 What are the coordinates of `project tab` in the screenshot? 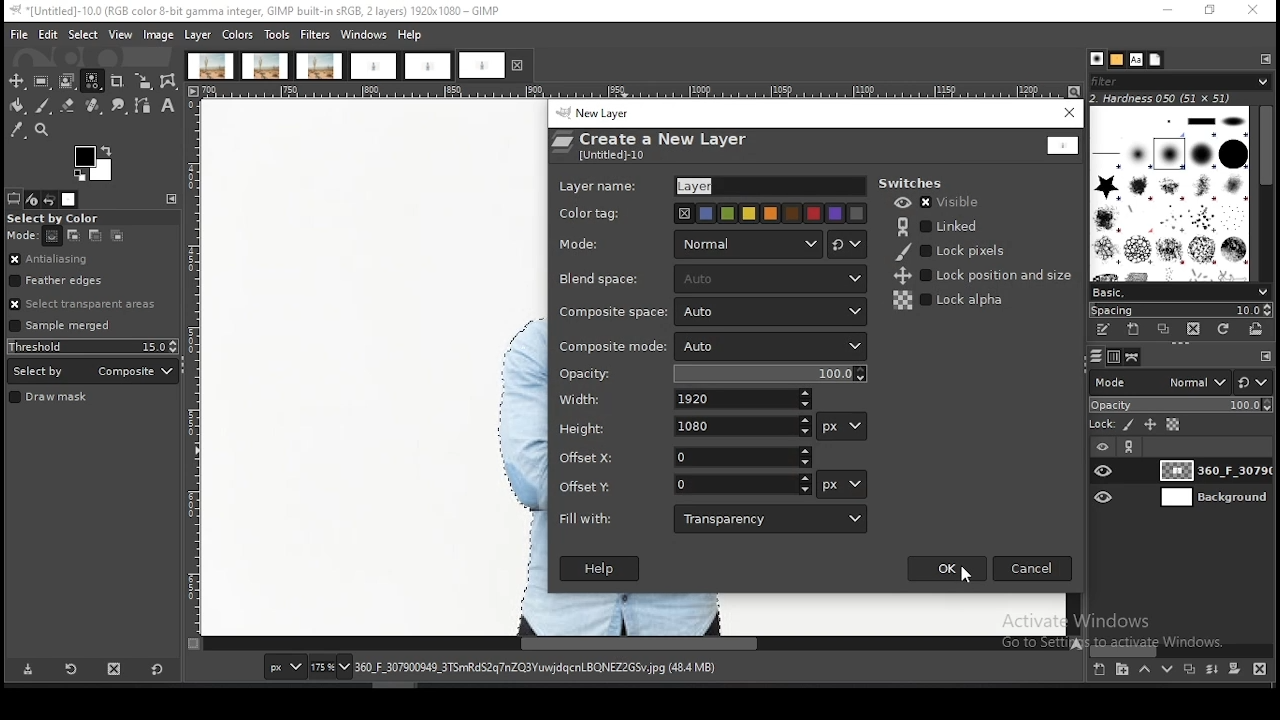 It's located at (320, 66).